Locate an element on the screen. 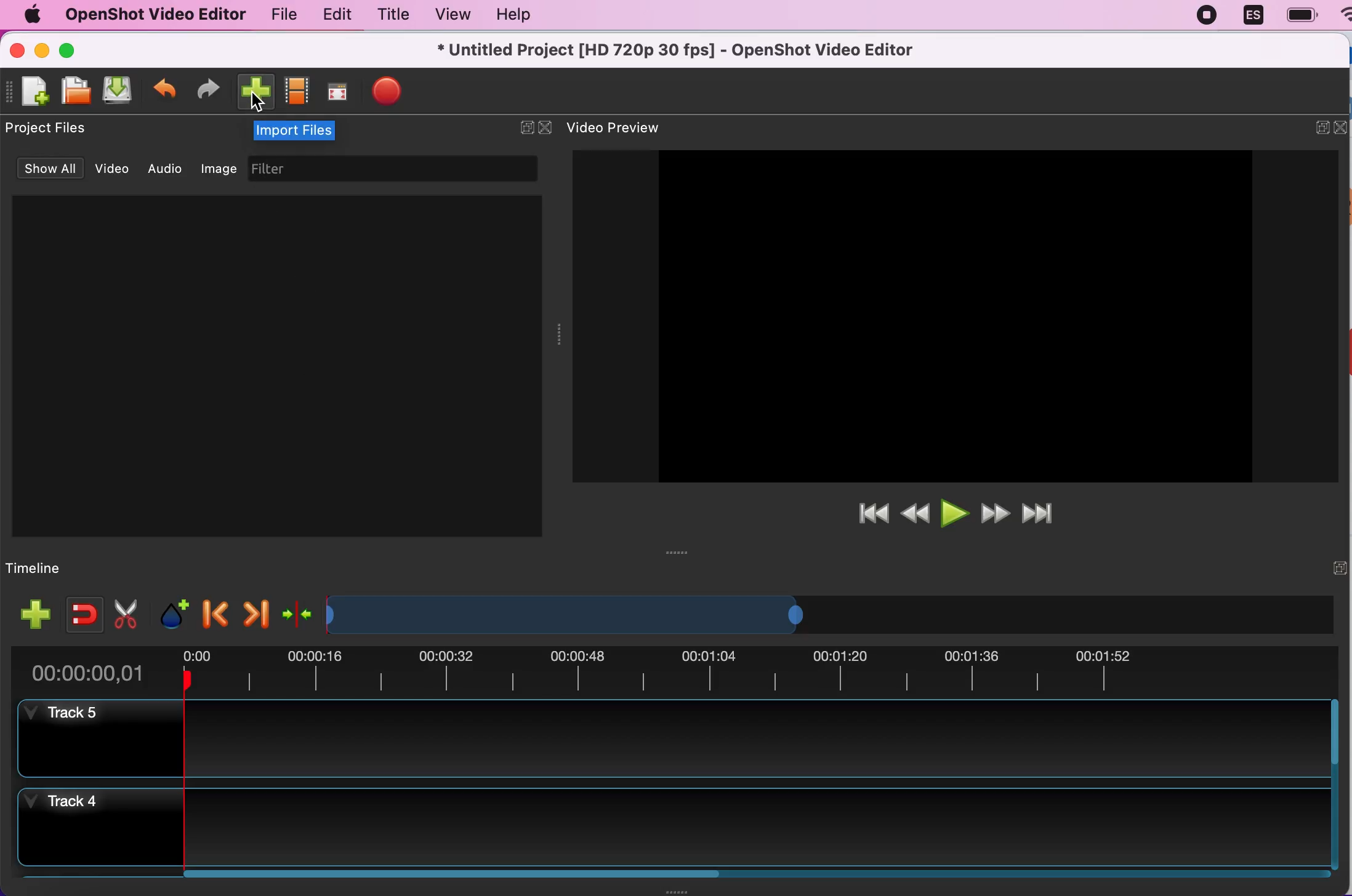 This screenshot has height=896, width=1352. time duration is located at coordinates (670, 673).